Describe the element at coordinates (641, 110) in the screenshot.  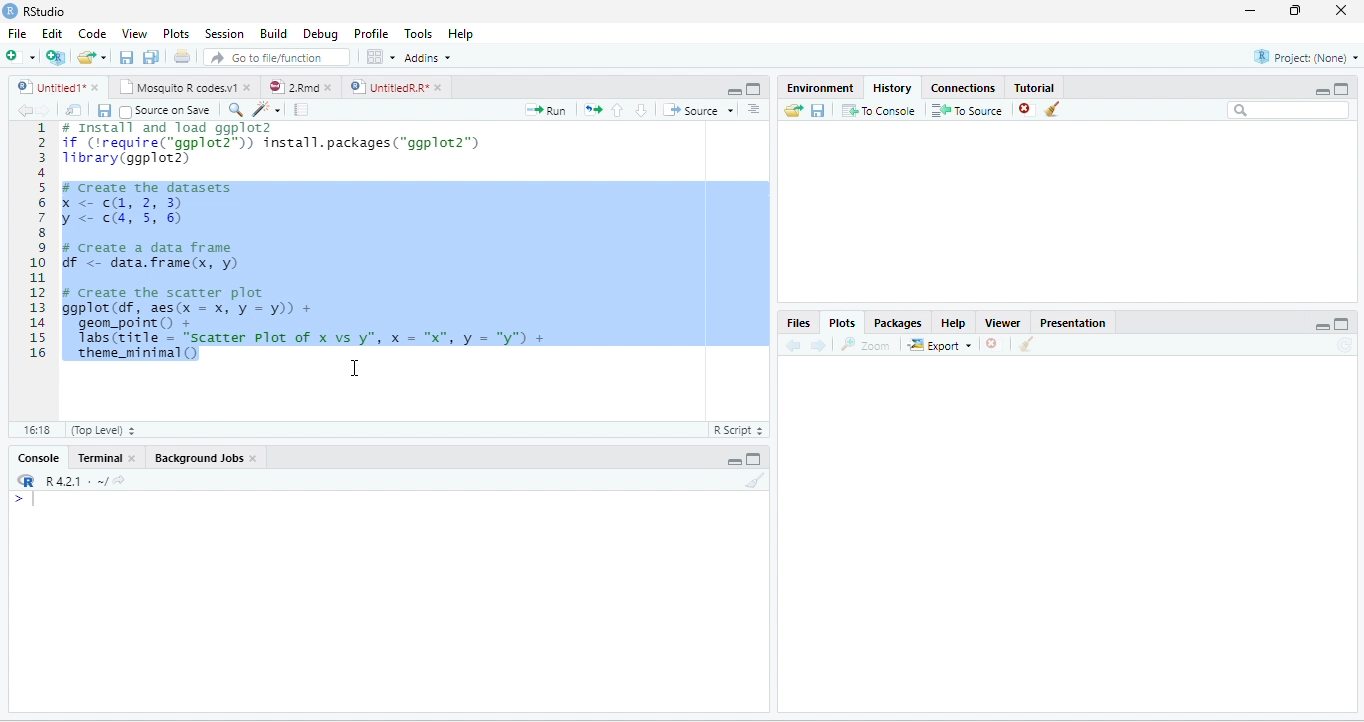
I see `Go to next section/chunk` at that location.